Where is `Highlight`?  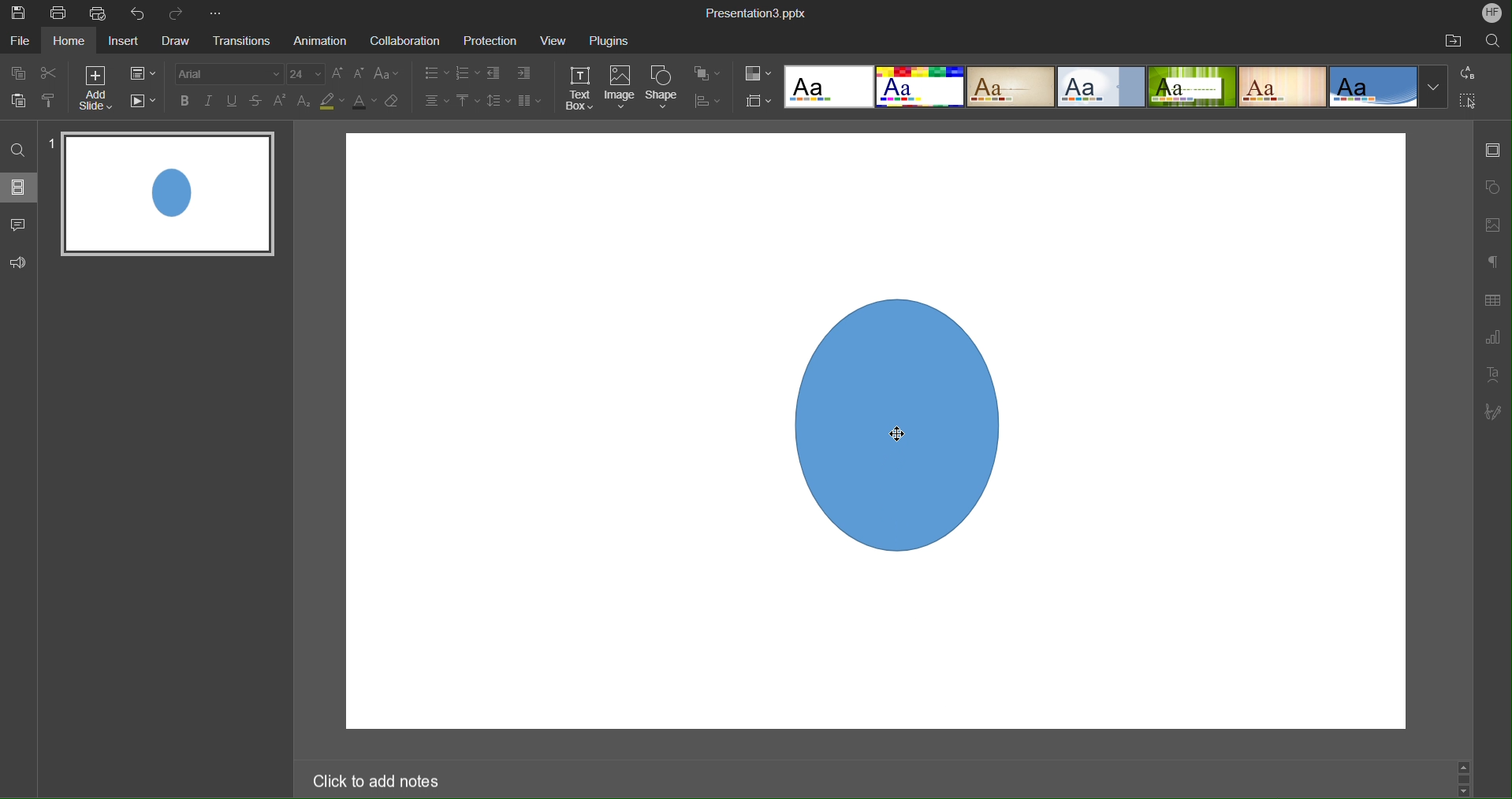 Highlight is located at coordinates (332, 104).